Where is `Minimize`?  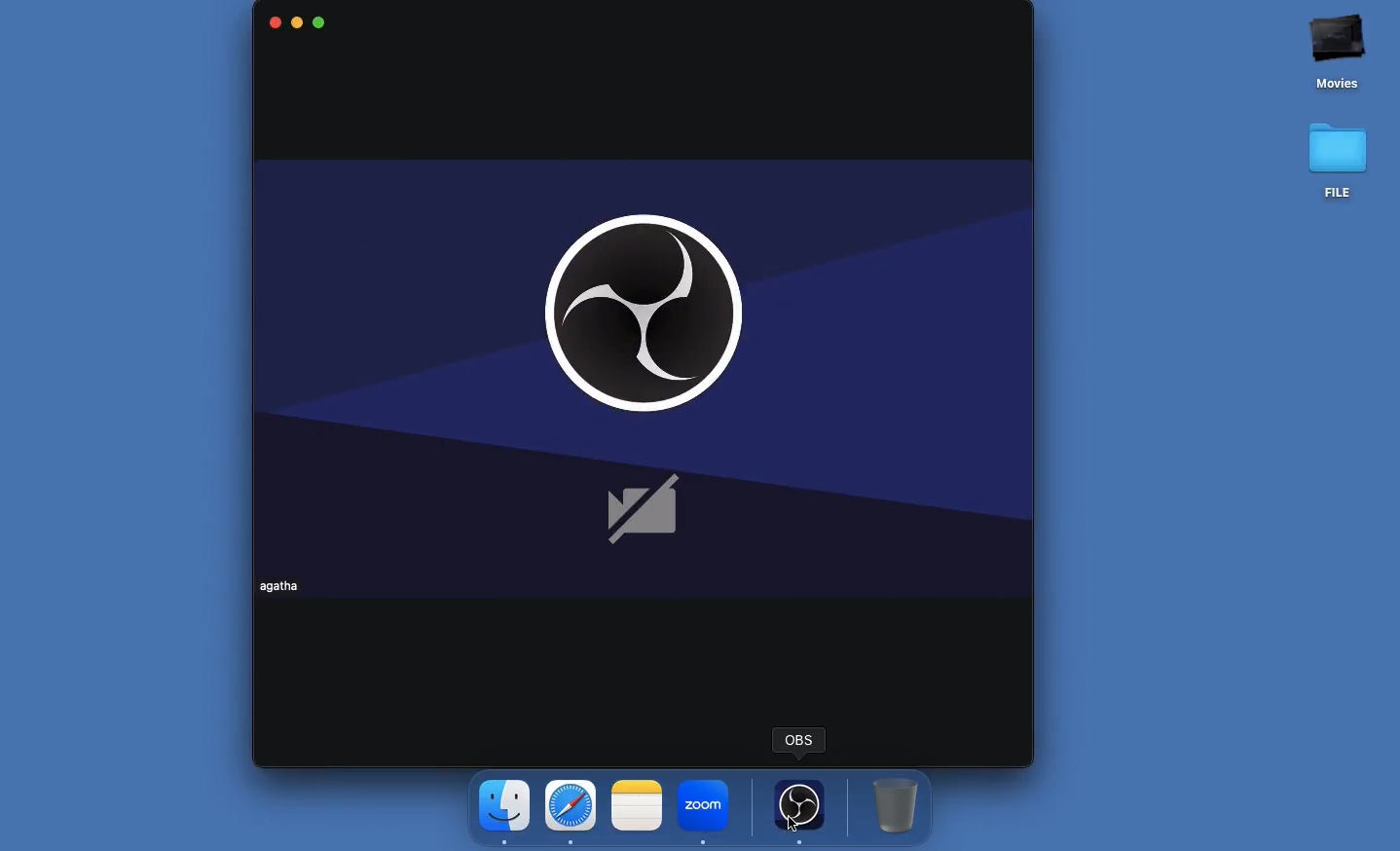
Minimize is located at coordinates (298, 24).